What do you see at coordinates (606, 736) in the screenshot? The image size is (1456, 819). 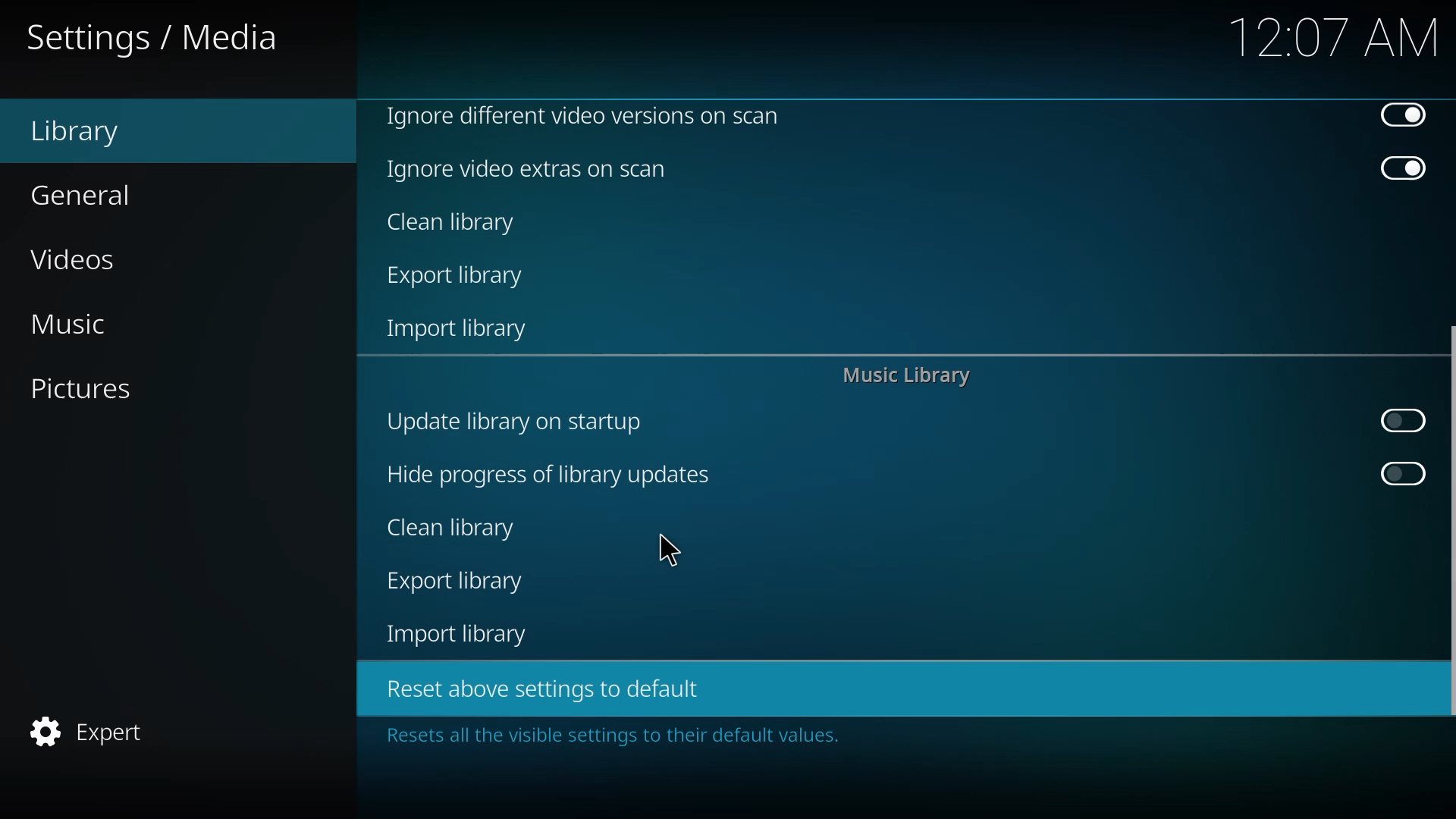 I see `info` at bounding box center [606, 736].